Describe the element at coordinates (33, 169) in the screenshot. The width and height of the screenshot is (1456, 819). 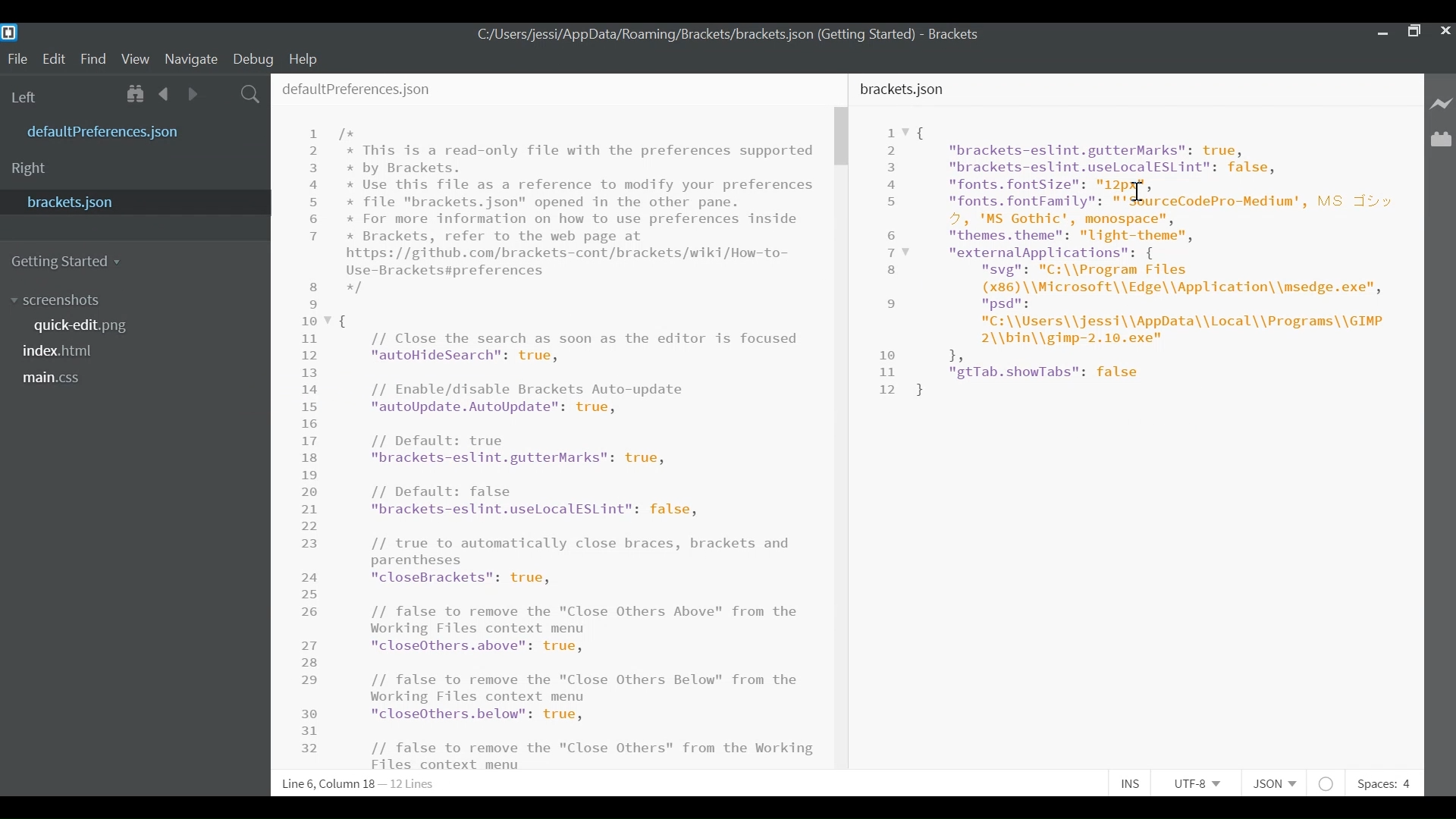
I see `Right` at that location.